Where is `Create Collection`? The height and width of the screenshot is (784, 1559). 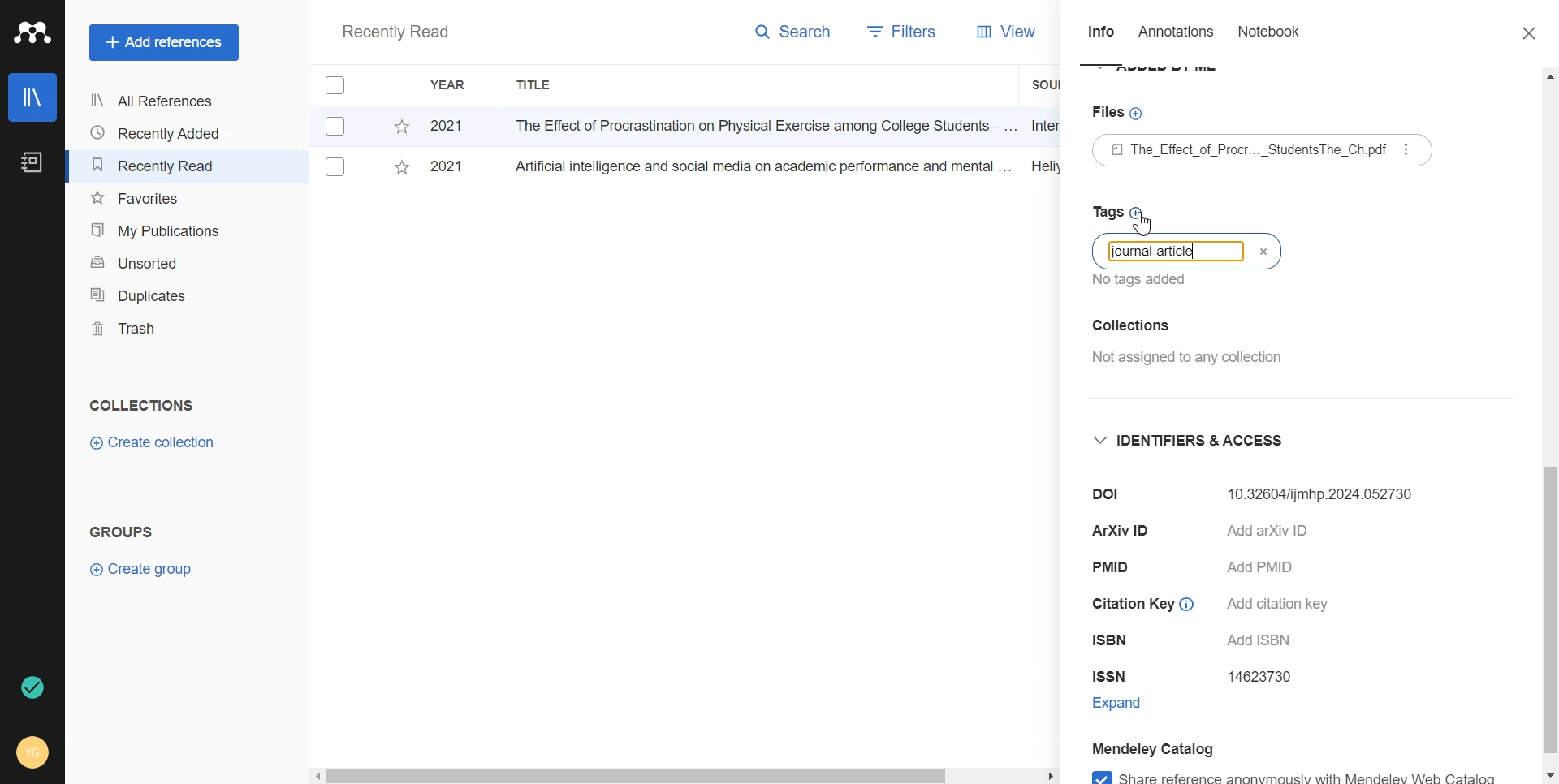
Create Collection is located at coordinates (154, 443).